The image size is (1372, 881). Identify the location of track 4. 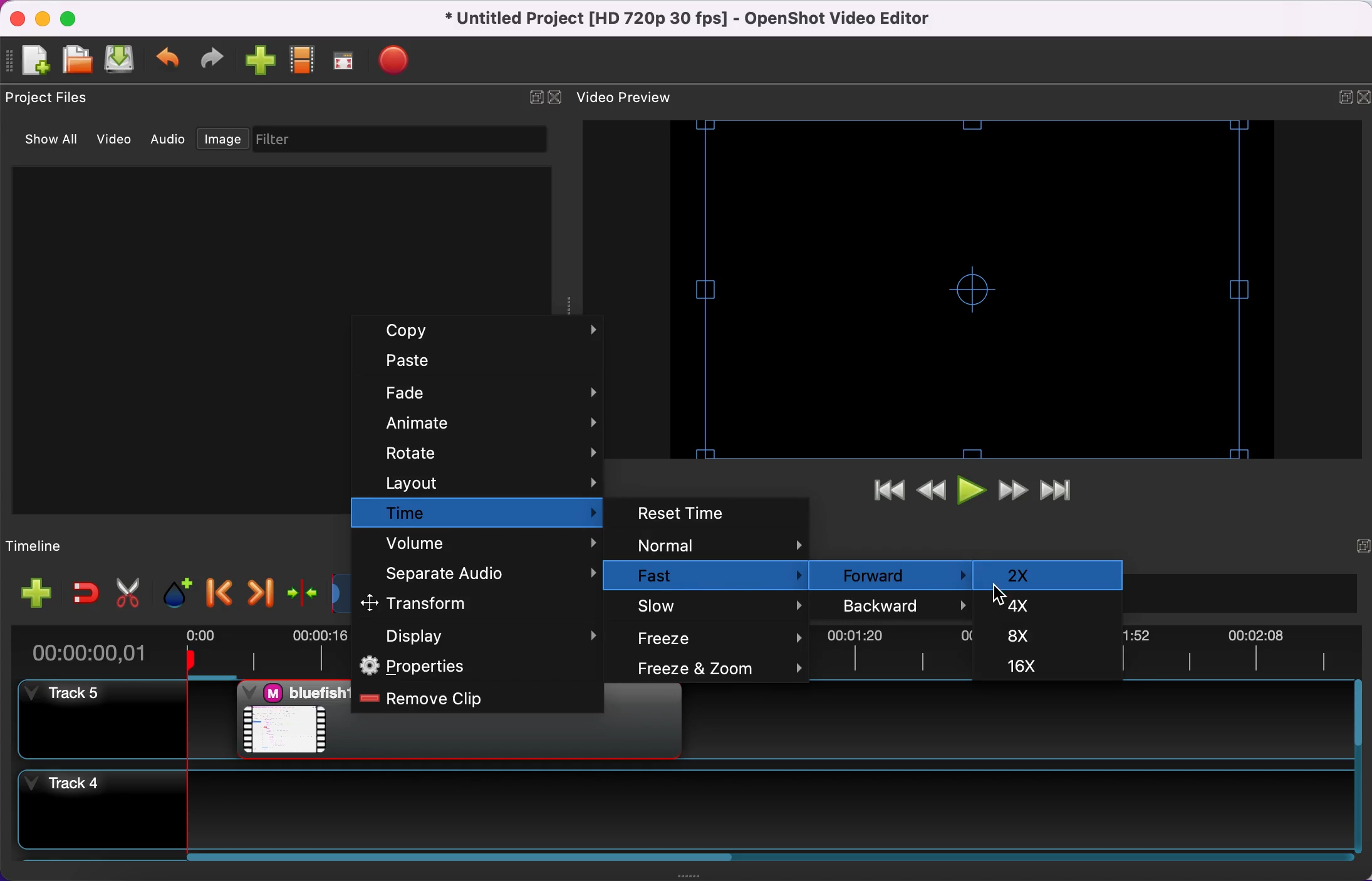
(689, 813).